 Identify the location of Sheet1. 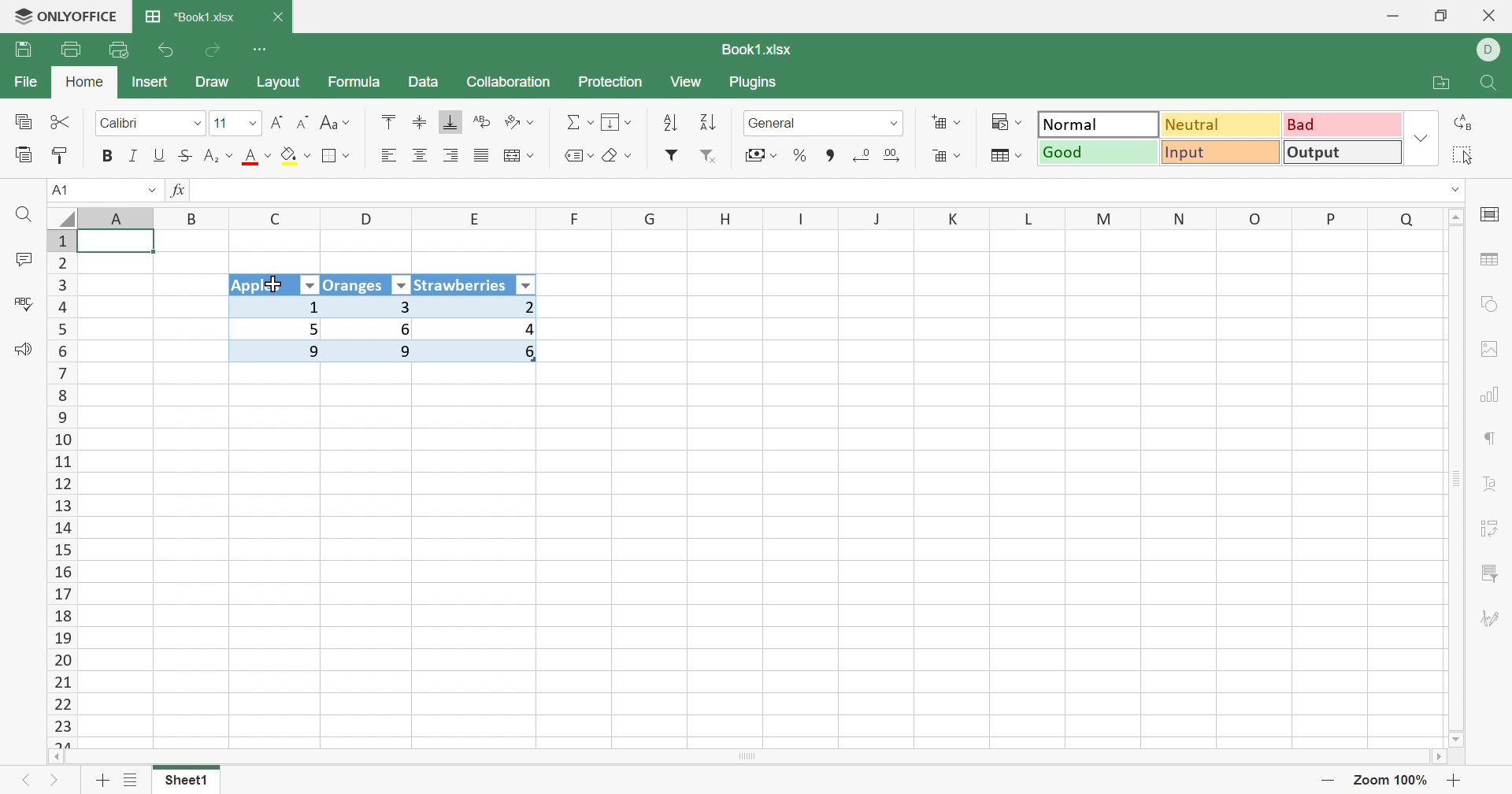
(186, 784).